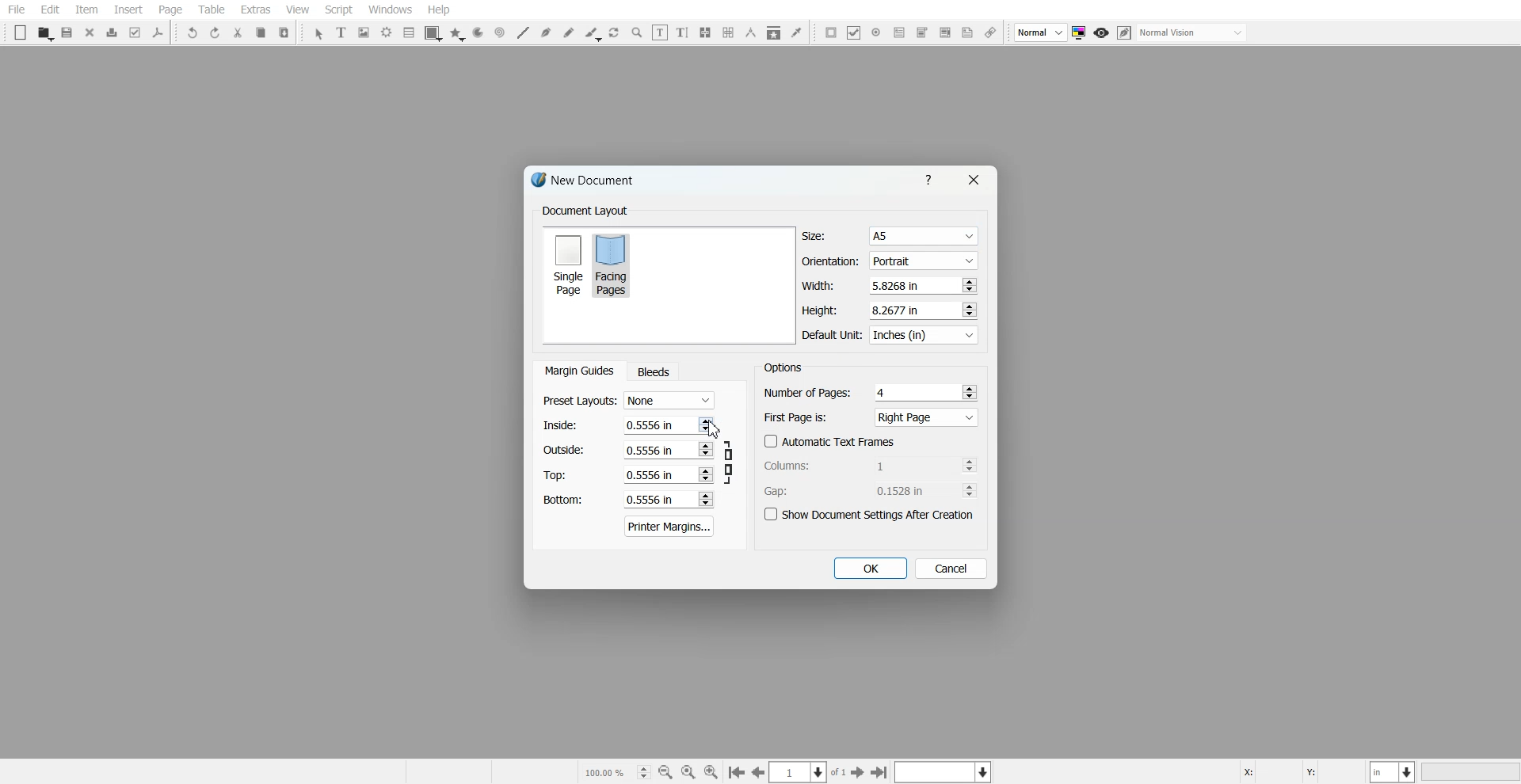  What do you see at coordinates (589, 182) in the screenshot?
I see `Text` at bounding box center [589, 182].